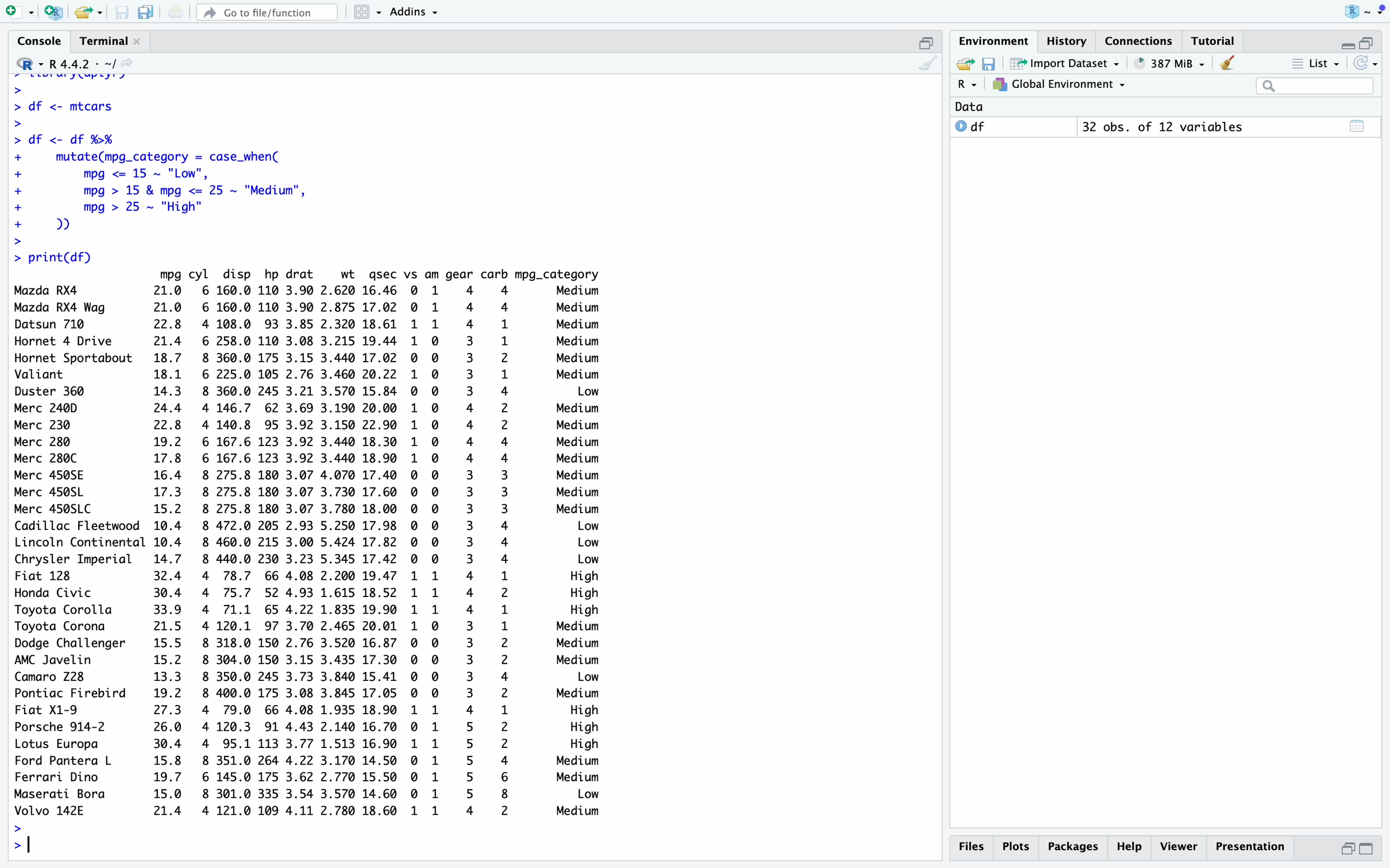 The width and height of the screenshot is (1390, 868). What do you see at coordinates (148, 13) in the screenshot?
I see `copy` at bounding box center [148, 13].